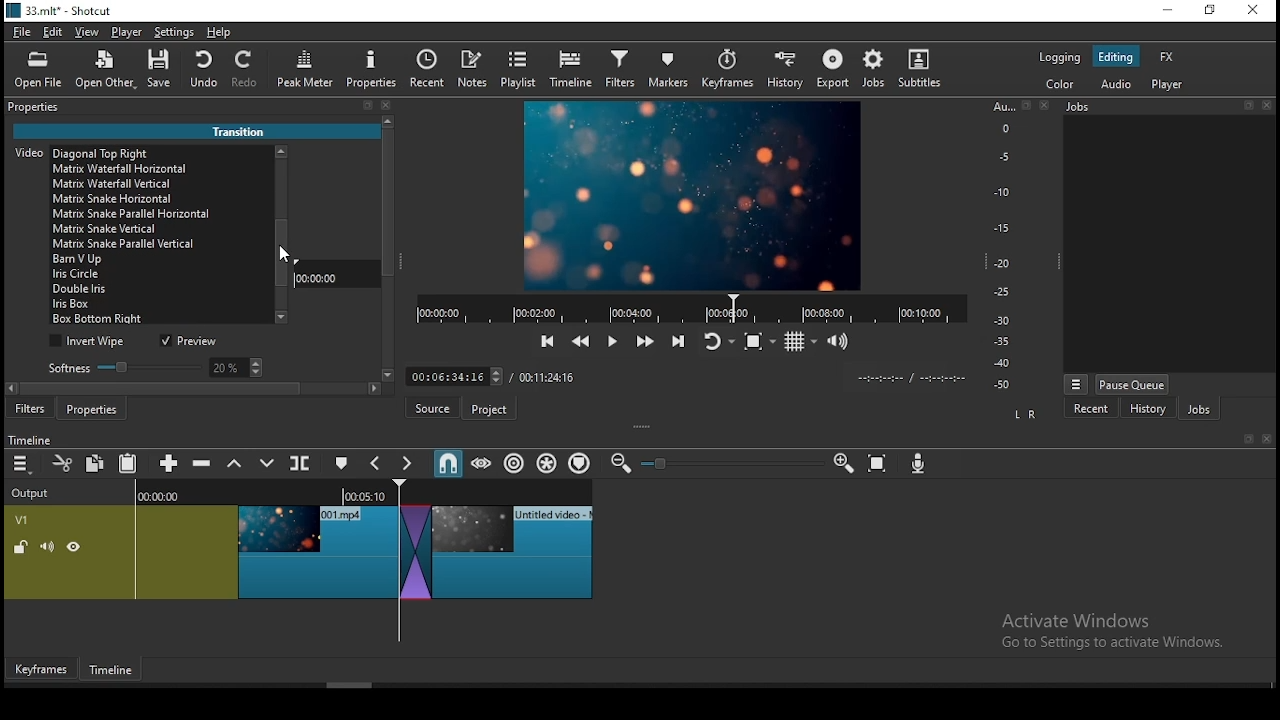 Image resolution: width=1280 pixels, height=720 pixels. I want to click on zoom timeline out, so click(618, 464).